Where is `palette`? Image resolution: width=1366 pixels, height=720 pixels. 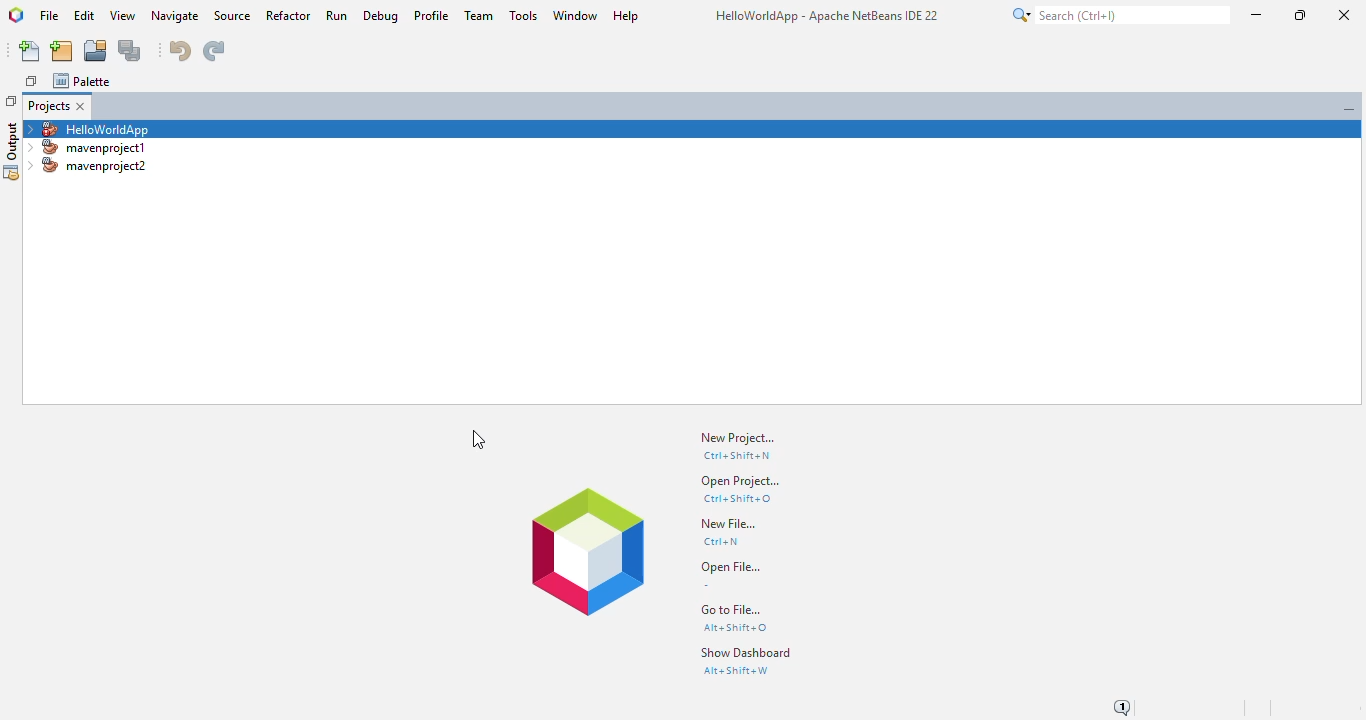
palette is located at coordinates (82, 80).